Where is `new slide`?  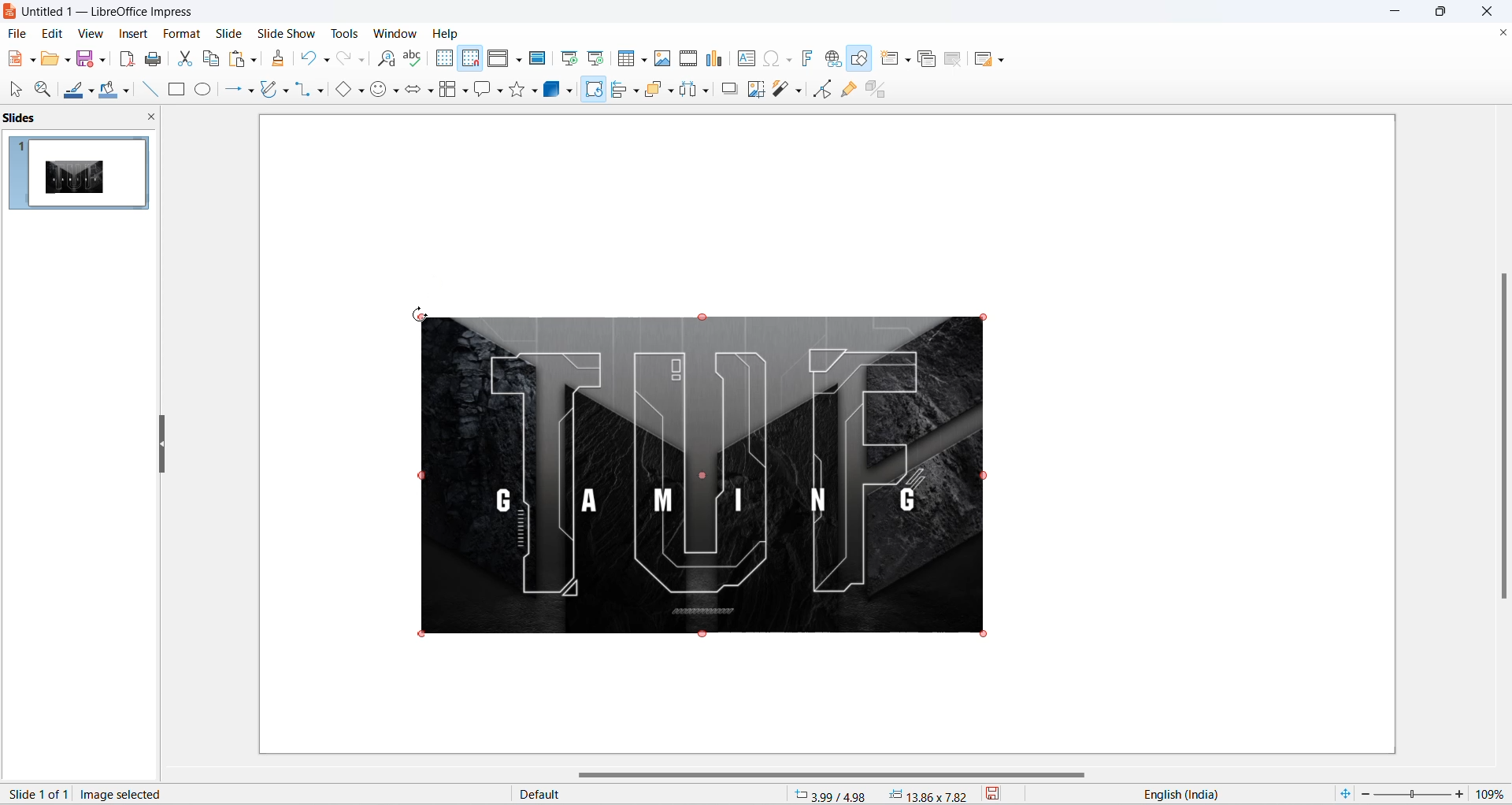
new slide is located at coordinates (890, 58).